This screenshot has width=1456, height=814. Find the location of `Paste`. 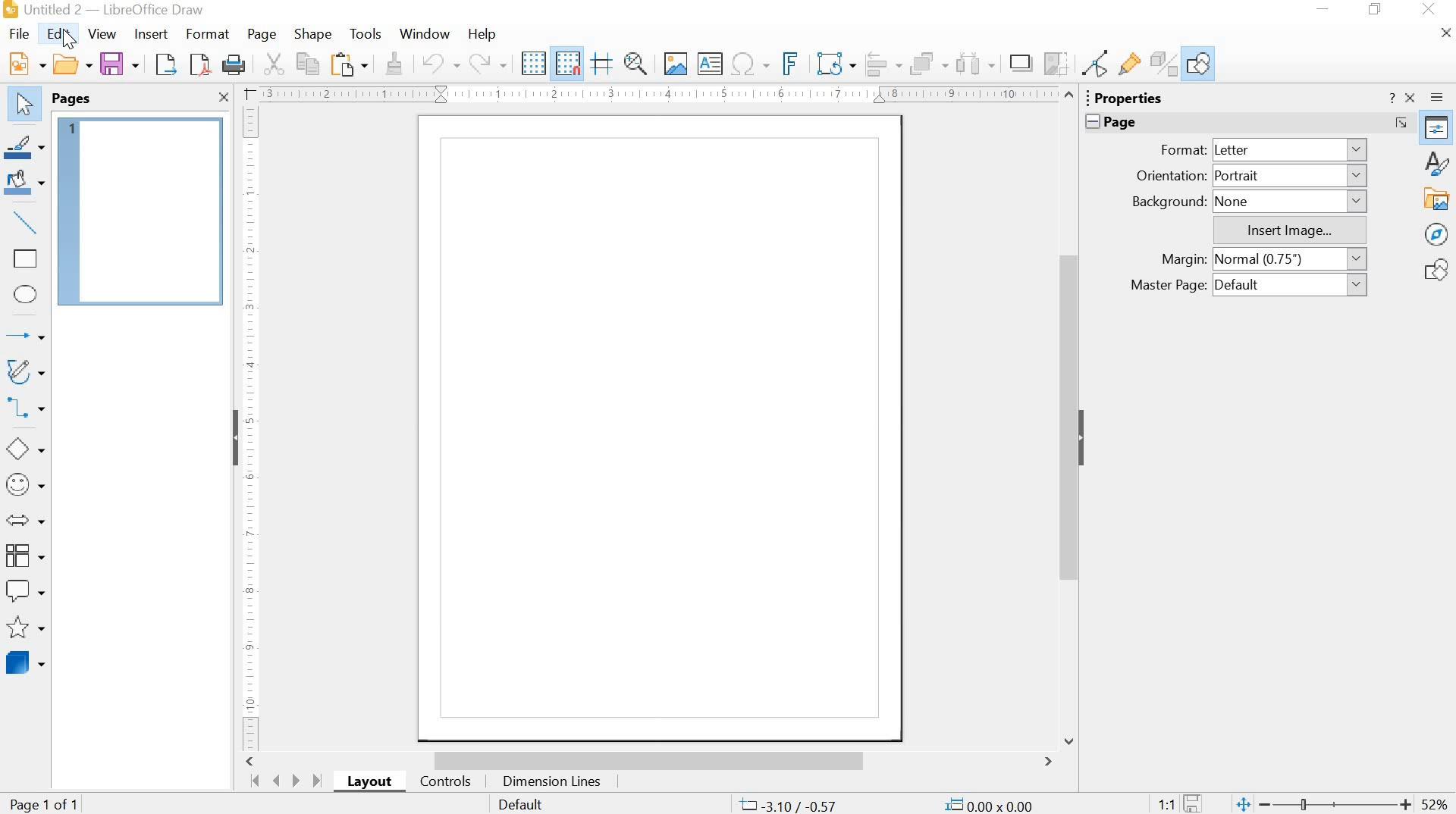

Paste is located at coordinates (350, 64).